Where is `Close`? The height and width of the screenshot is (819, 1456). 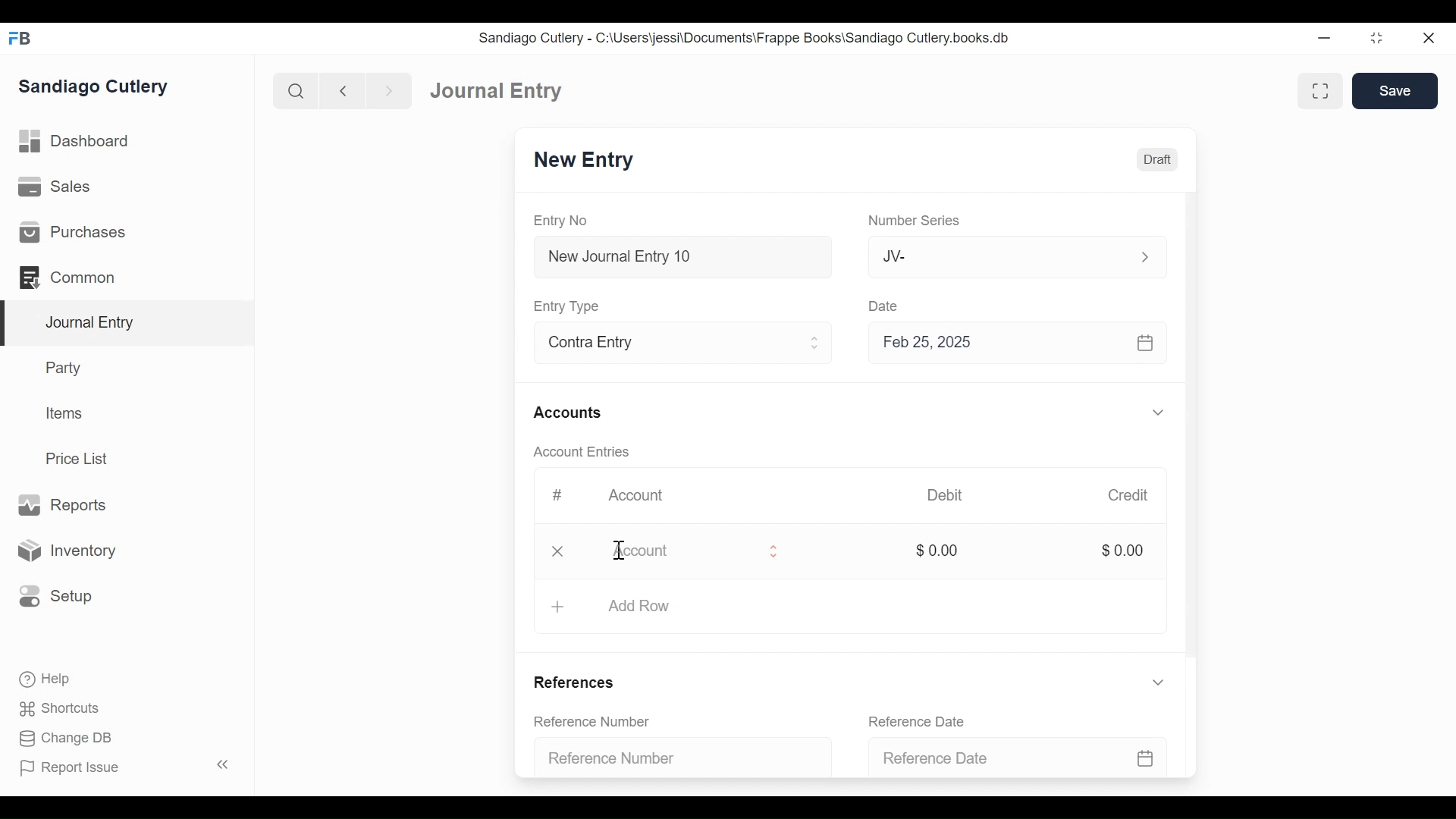
Close is located at coordinates (1427, 39).